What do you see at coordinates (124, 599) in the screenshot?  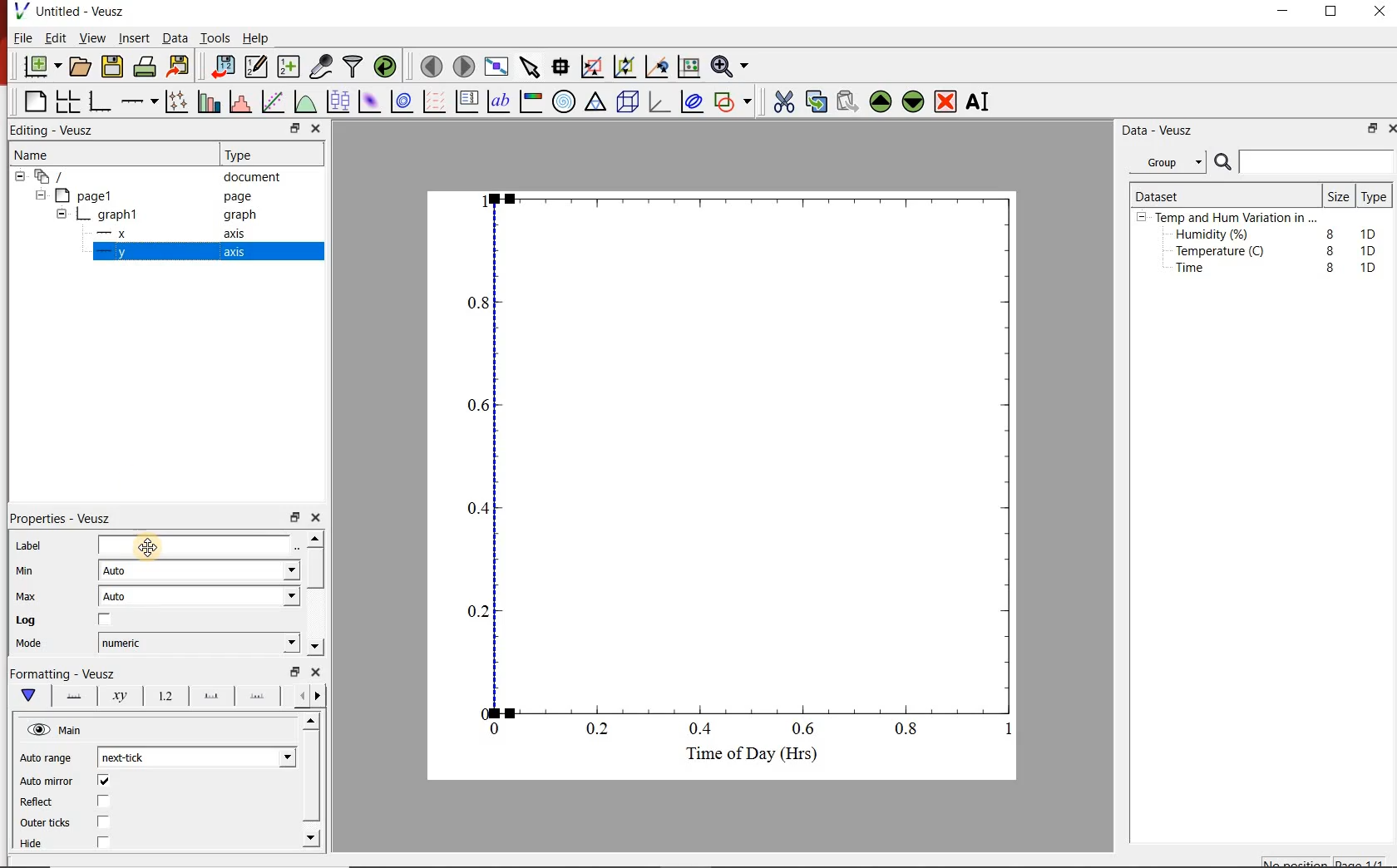 I see `Auto` at bounding box center [124, 599].